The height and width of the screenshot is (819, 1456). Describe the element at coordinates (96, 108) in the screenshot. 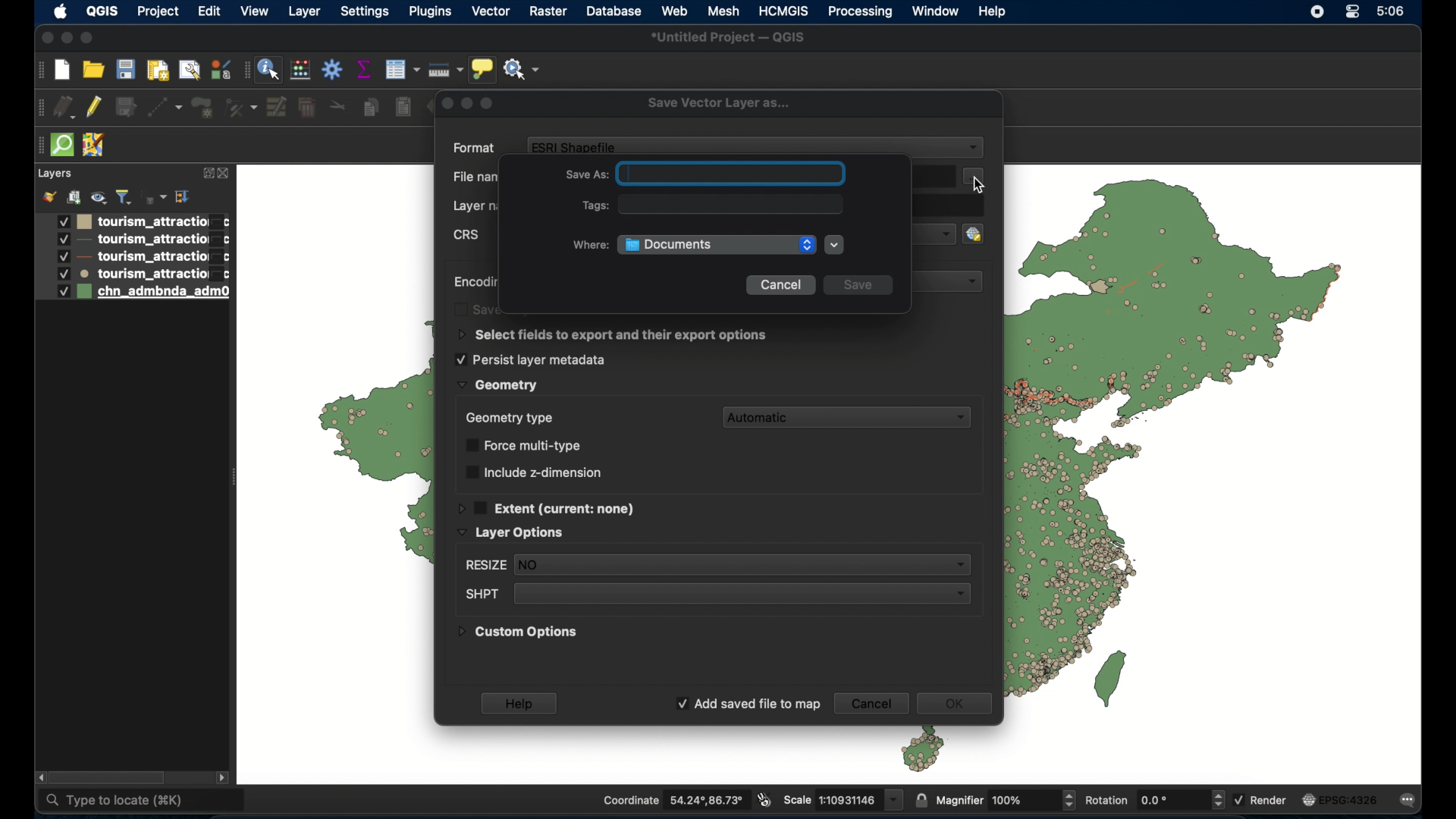

I see `toggle editing` at that location.